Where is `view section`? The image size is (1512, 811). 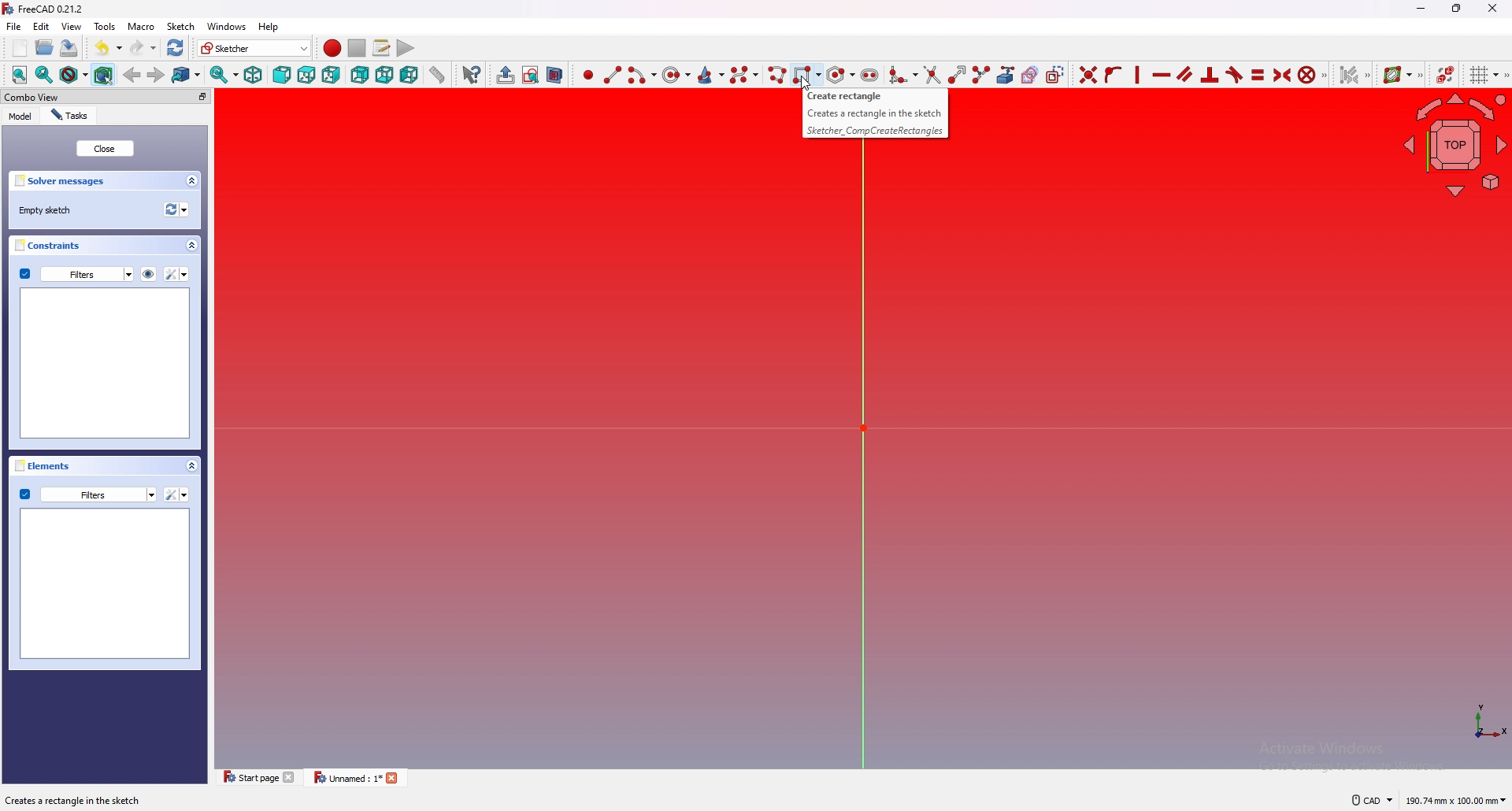
view section is located at coordinates (555, 76).